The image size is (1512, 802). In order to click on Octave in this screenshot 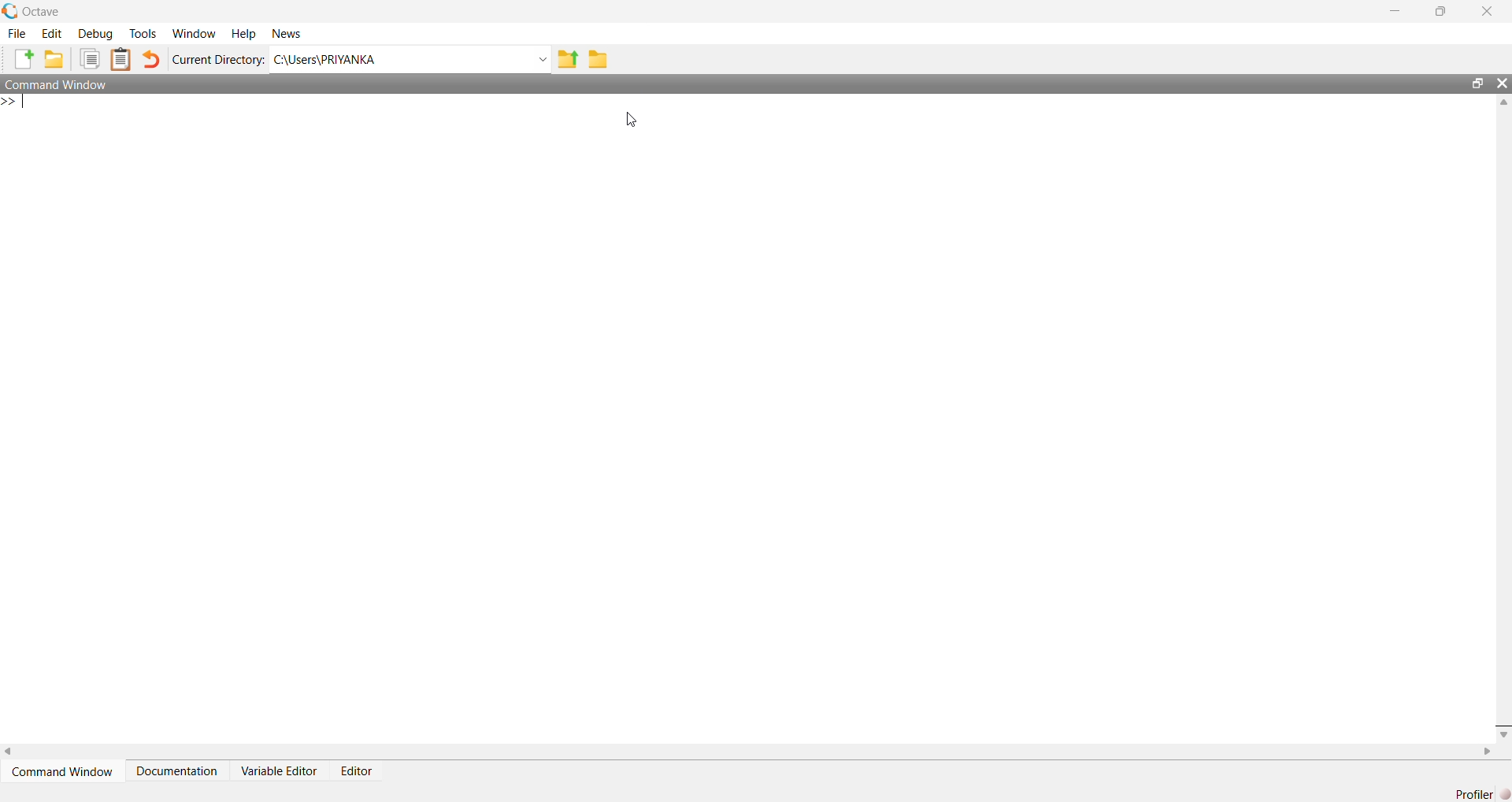, I will do `click(39, 12)`.